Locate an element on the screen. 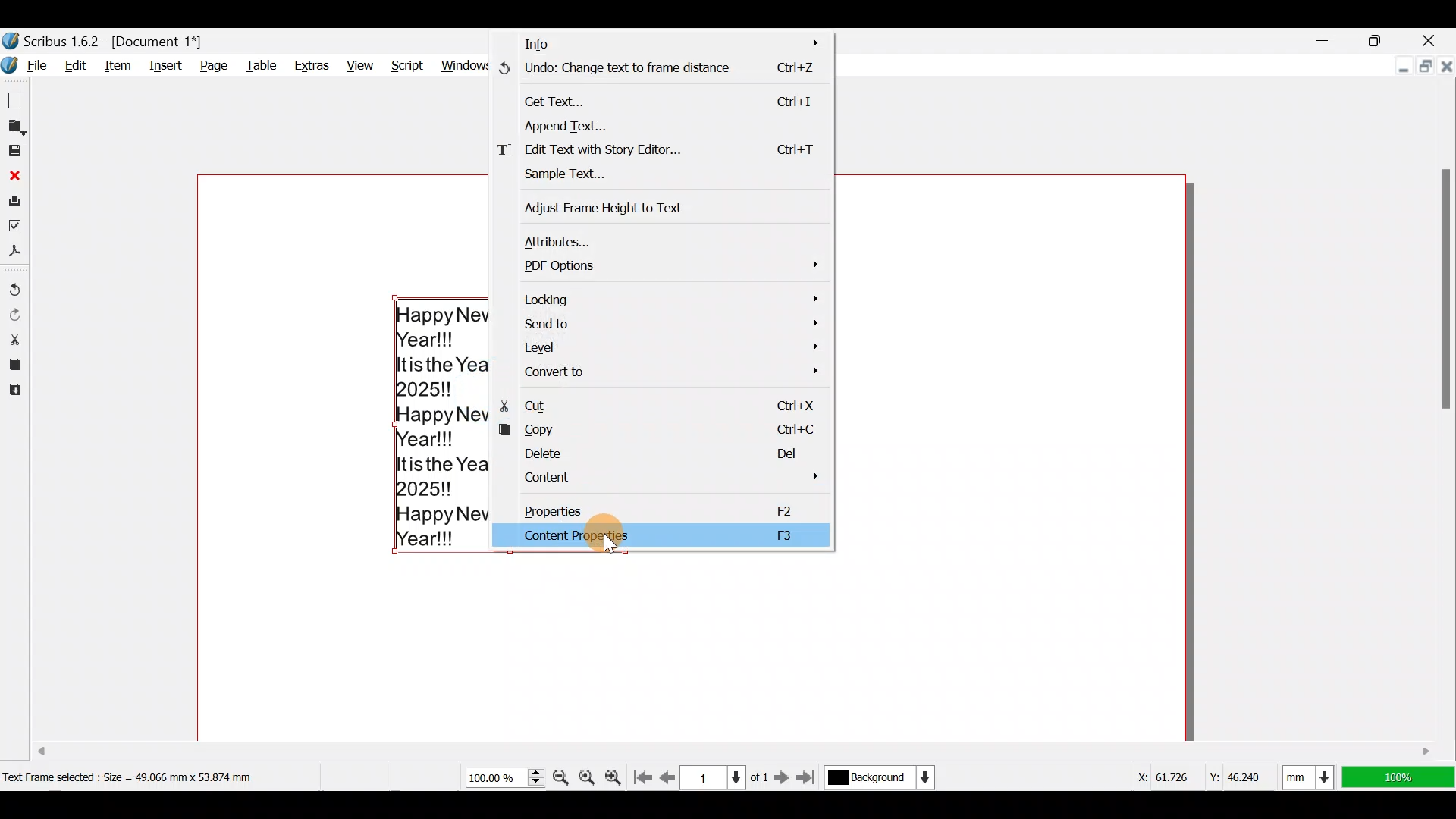 This screenshot has width=1456, height=819. Insert is located at coordinates (169, 66).